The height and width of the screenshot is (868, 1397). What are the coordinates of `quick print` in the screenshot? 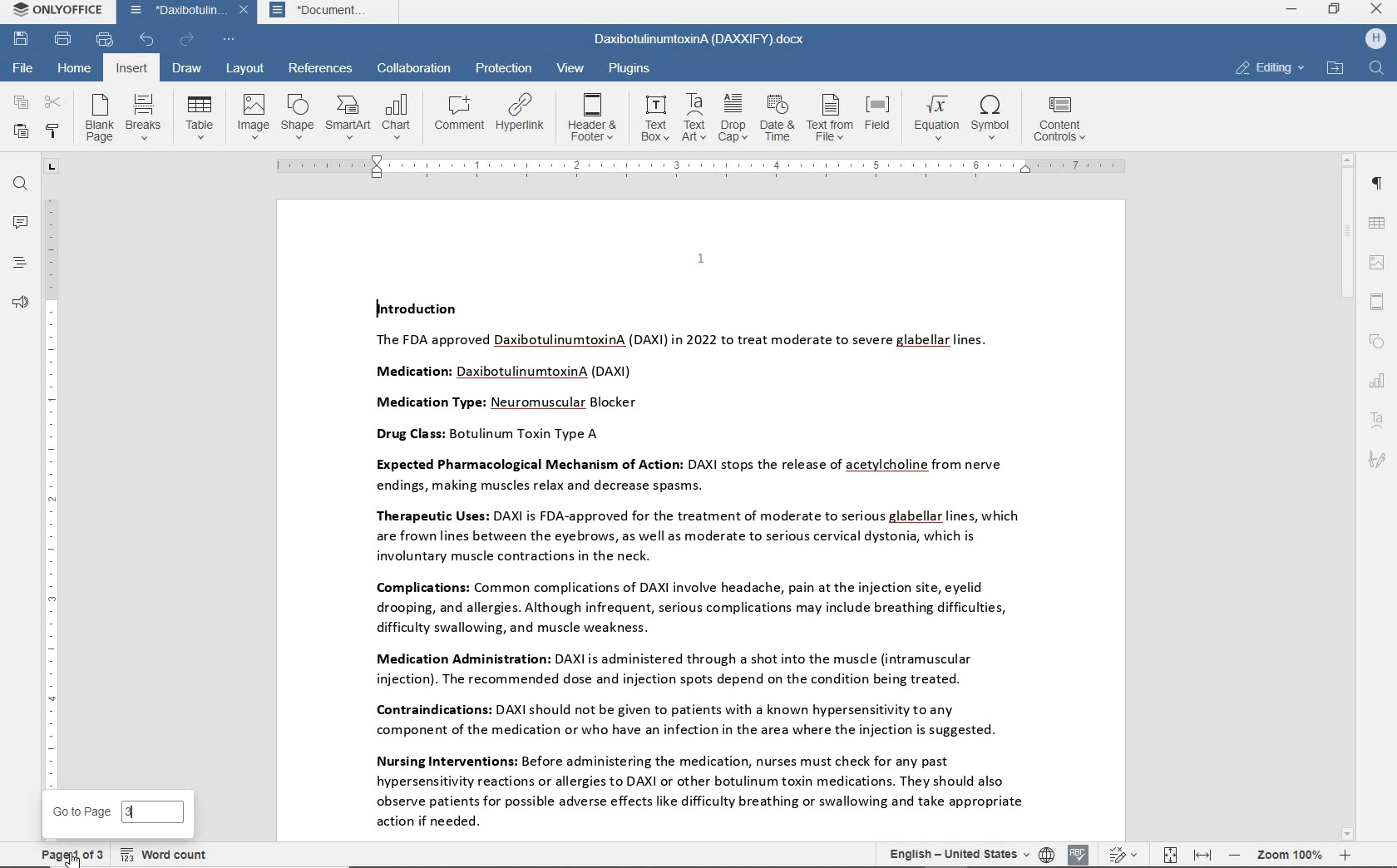 It's located at (105, 40).